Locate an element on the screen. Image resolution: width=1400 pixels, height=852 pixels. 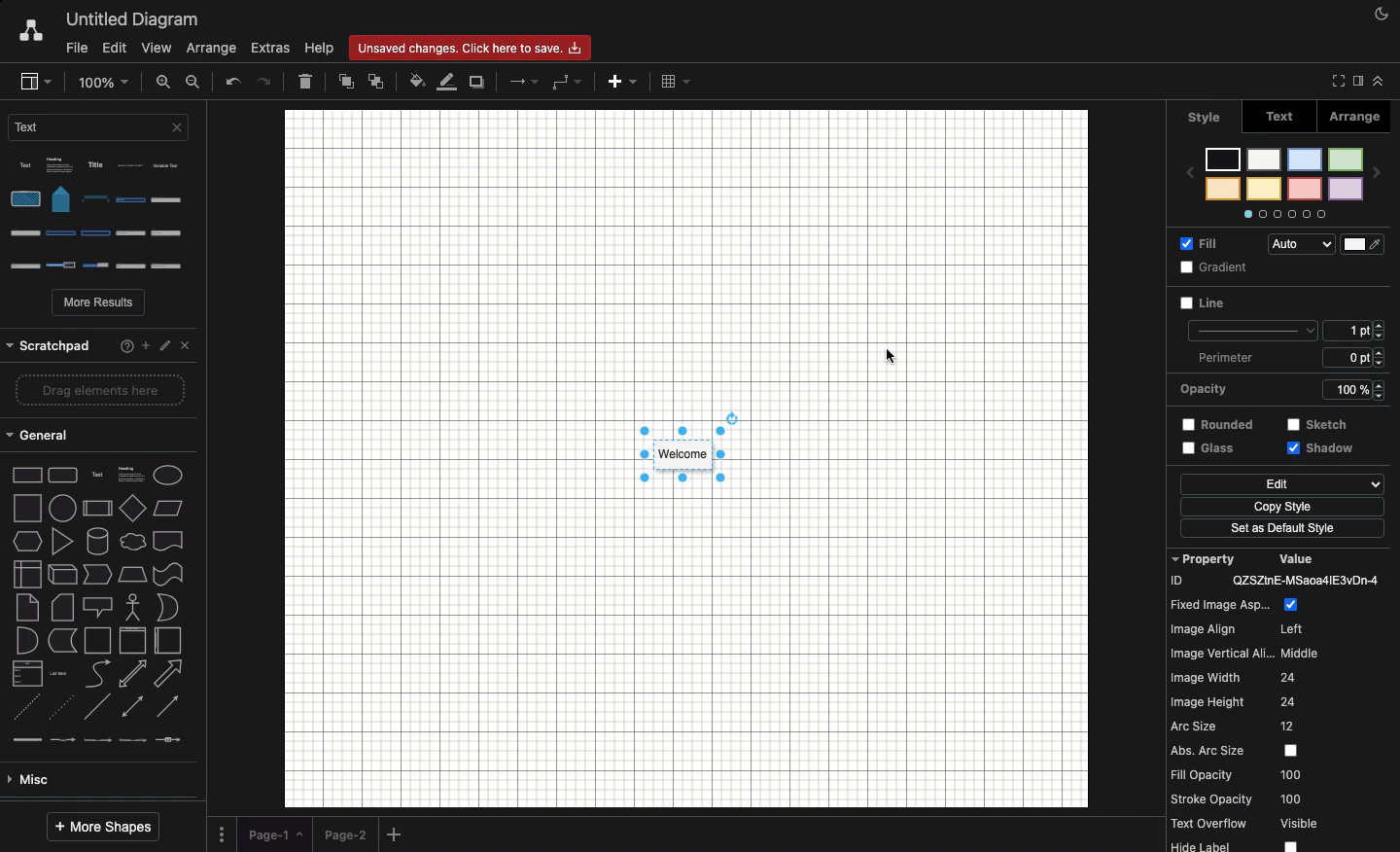
Edit is located at coordinates (113, 47).